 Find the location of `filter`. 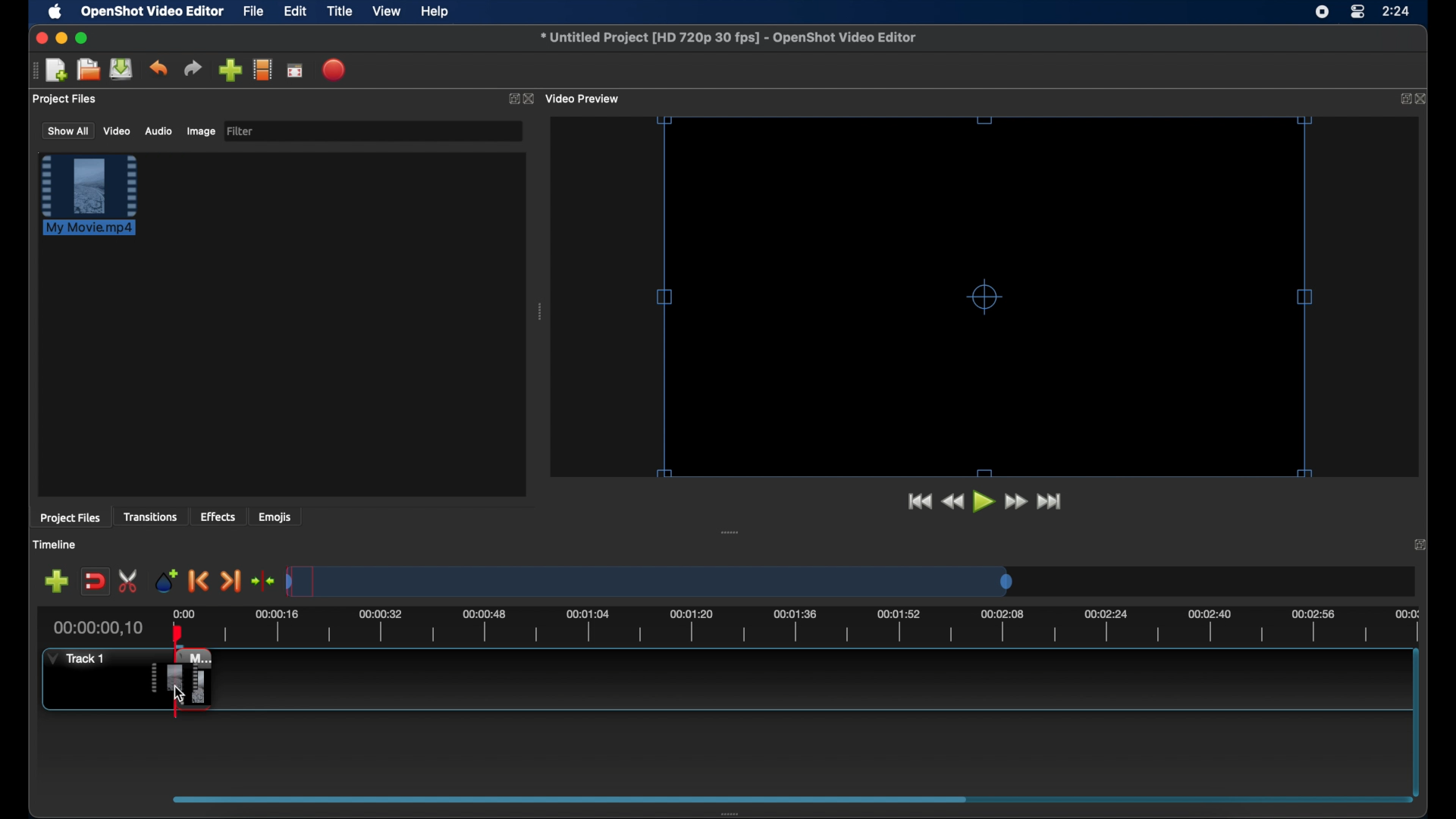

filter is located at coordinates (244, 131).